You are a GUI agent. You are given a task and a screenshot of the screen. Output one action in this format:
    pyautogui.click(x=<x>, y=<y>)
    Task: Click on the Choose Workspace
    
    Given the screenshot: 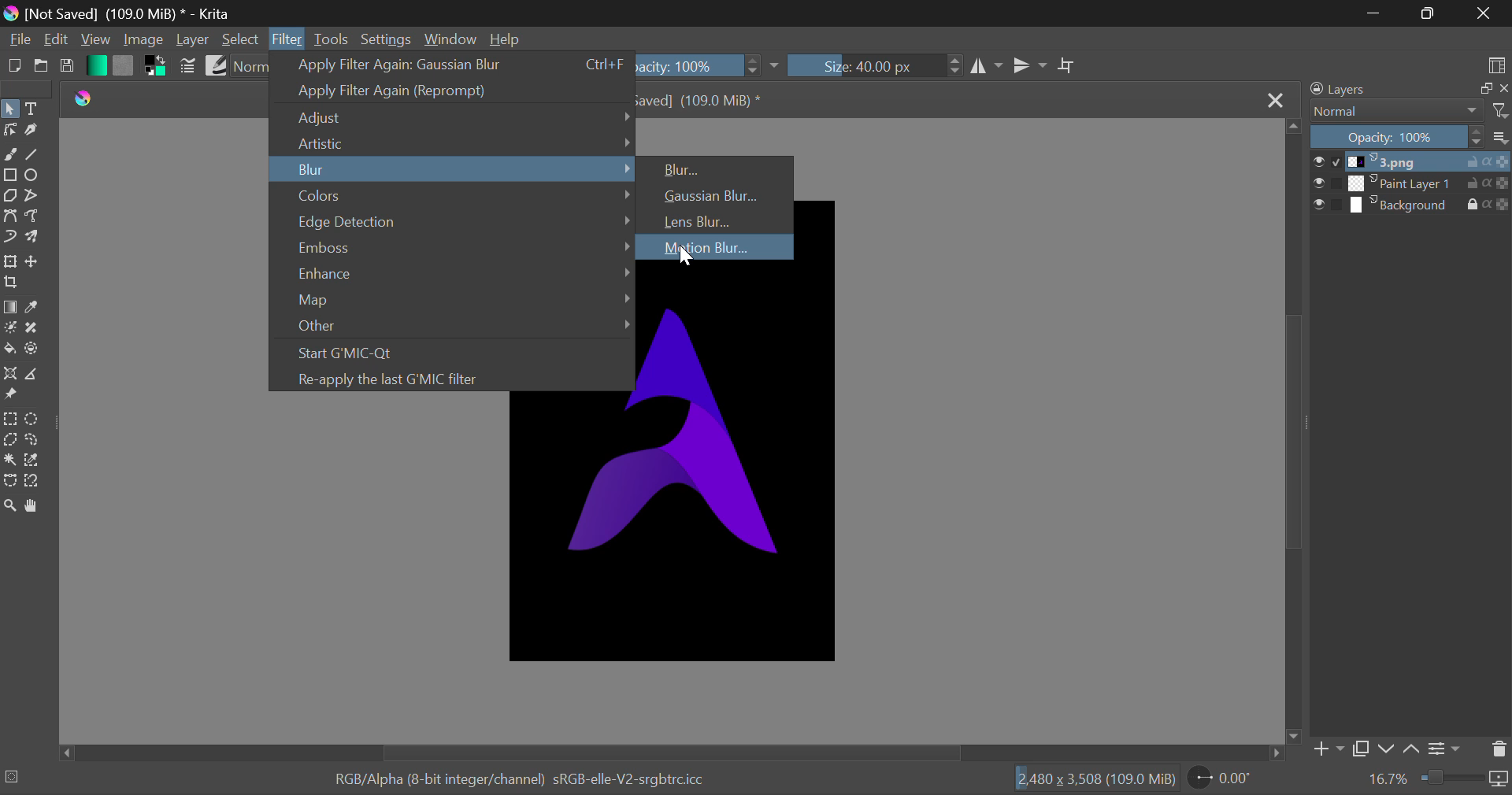 What is the action you would take?
    pyautogui.click(x=1496, y=65)
    